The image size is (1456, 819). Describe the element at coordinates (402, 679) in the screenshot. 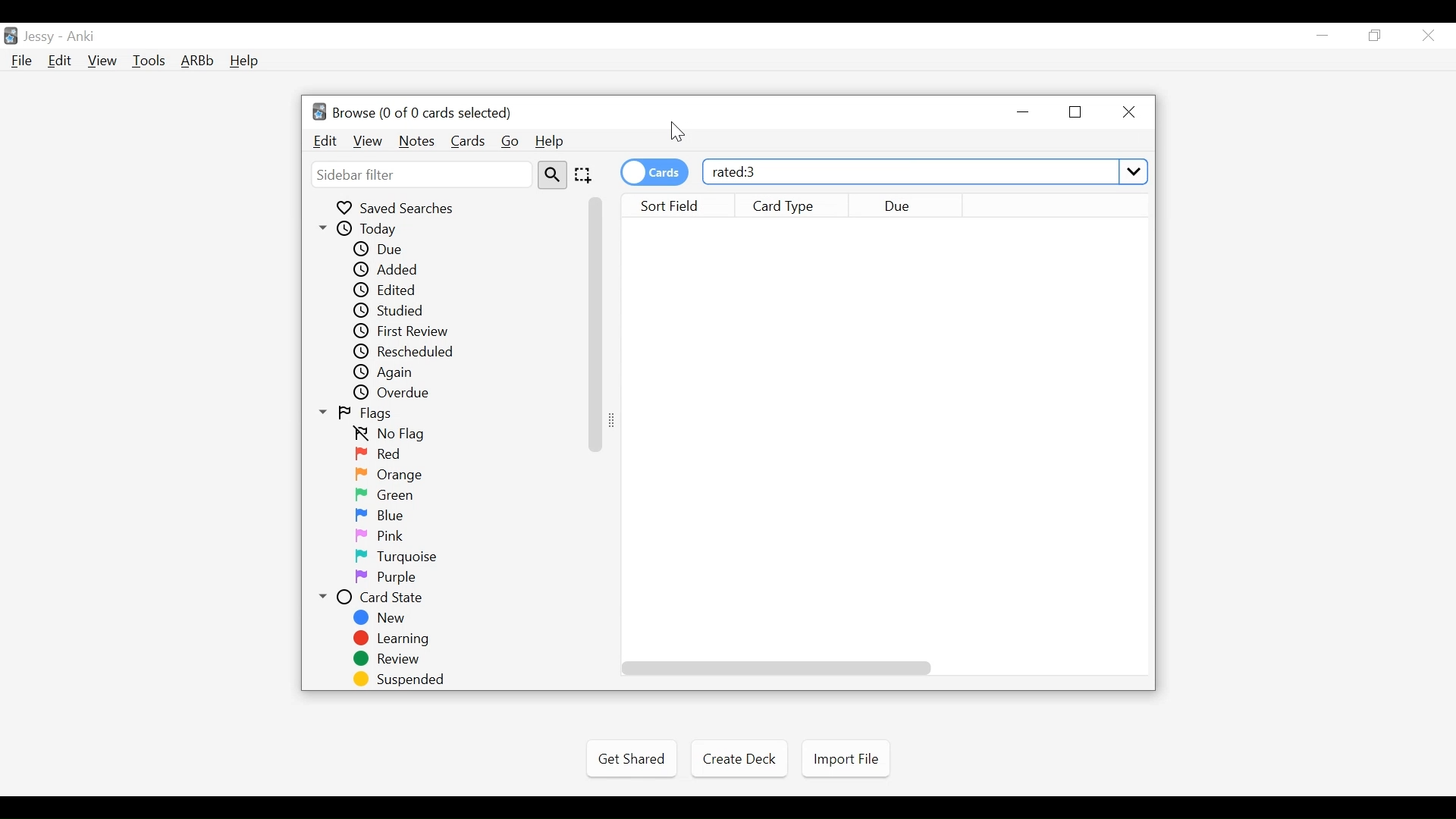

I see `Suspended` at that location.